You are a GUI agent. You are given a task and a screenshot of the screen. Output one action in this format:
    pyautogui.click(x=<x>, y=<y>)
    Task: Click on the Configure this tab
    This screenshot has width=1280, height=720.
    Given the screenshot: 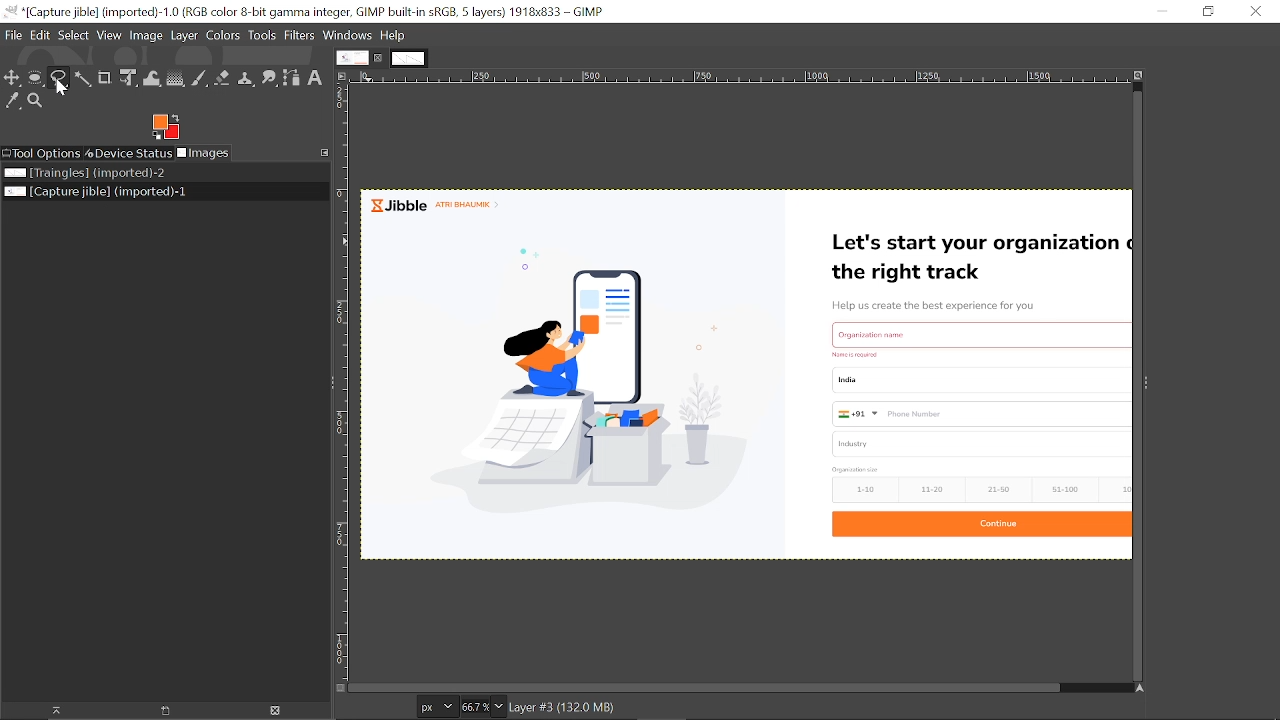 What is the action you would take?
    pyautogui.click(x=326, y=152)
    